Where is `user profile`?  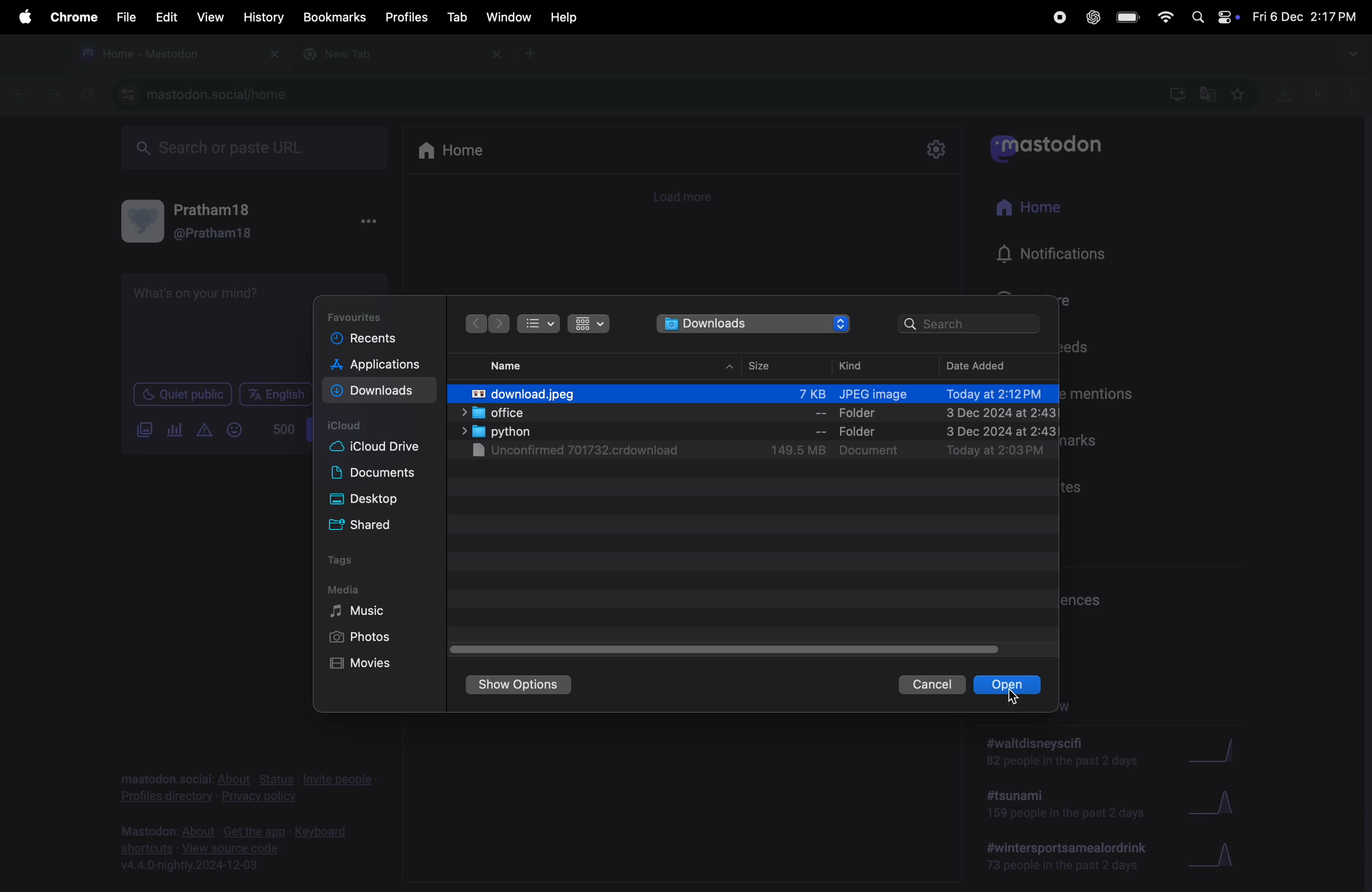 user profile is located at coordinates (1319, 93).